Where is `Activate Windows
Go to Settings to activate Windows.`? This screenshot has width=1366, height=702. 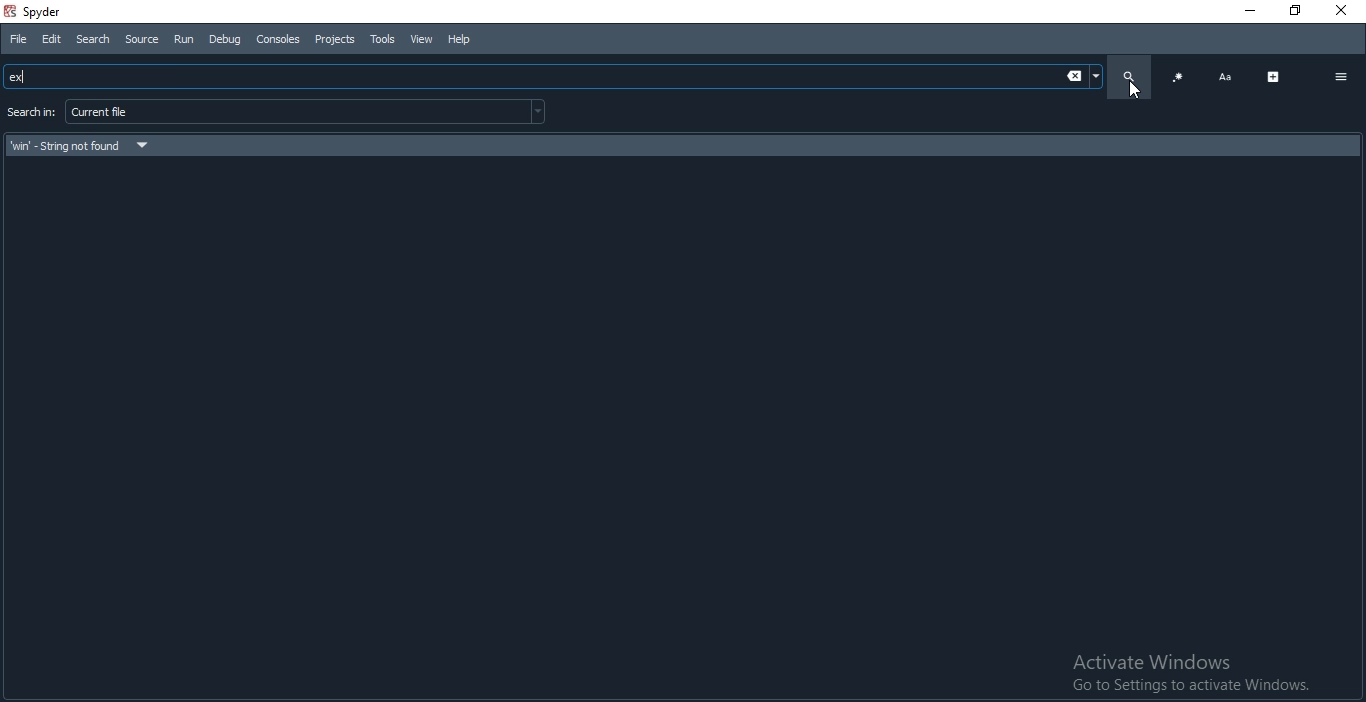 Activate Windows
Go to Settings to activate Windows. is located at coordinates (1191, 671).